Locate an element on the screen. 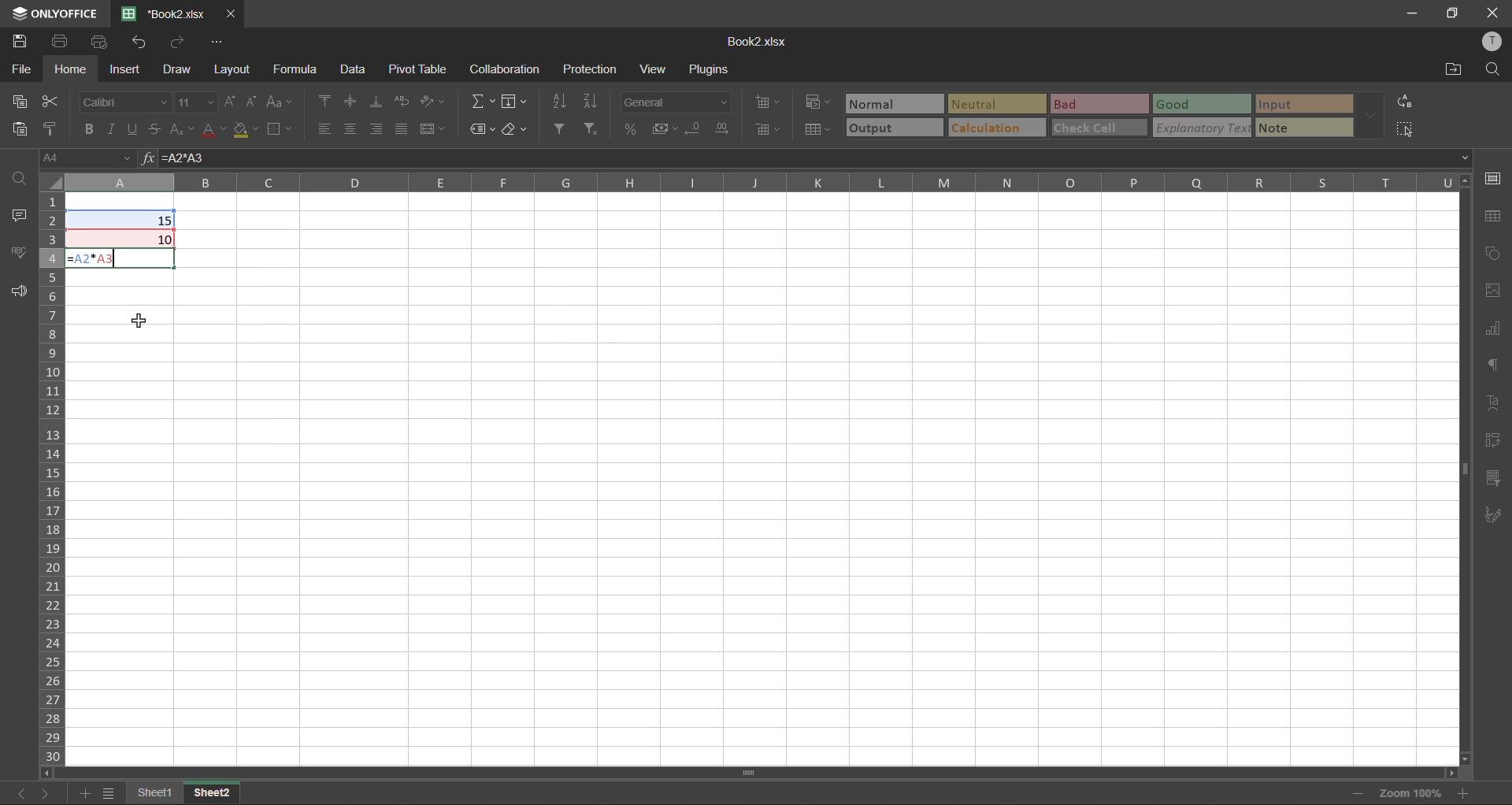 This screenshot has height=805, width=1512. delete cells is located at coordinates (766, 128).